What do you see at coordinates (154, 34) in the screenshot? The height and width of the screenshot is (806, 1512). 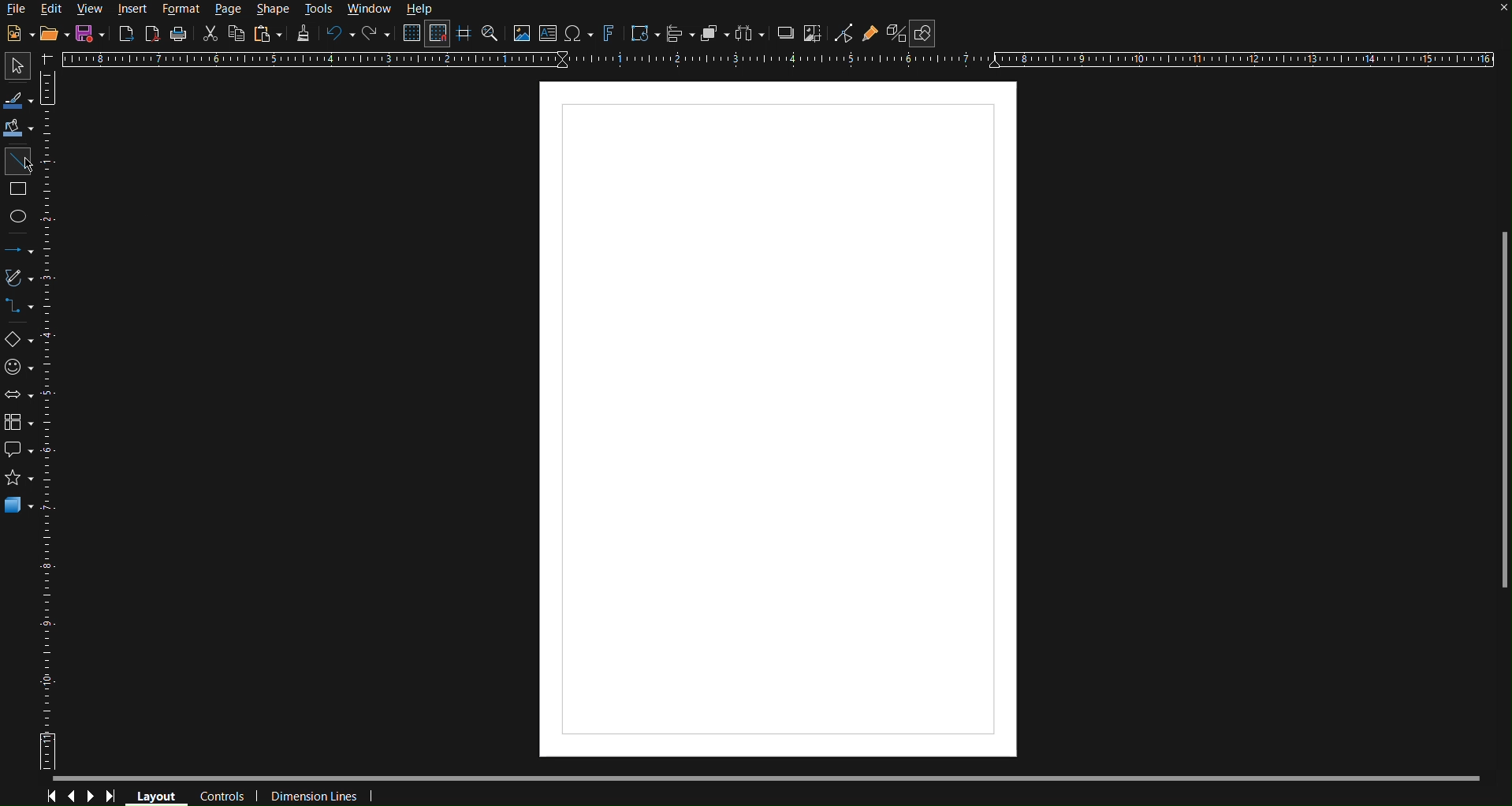 I see `Export PDF` at bounding box center [154, 34].